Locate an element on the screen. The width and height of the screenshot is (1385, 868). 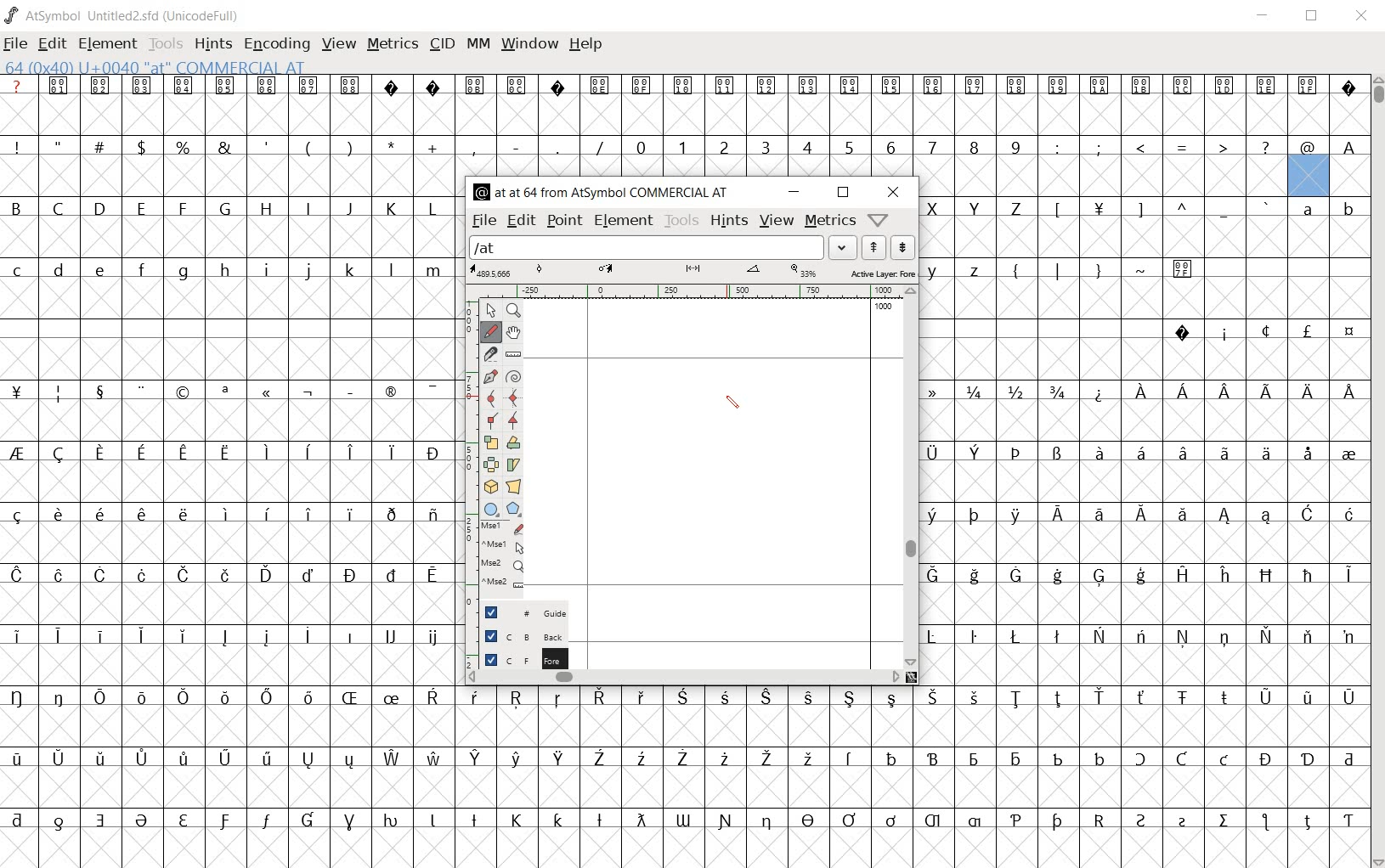
file is located at coordinates (483, 222).